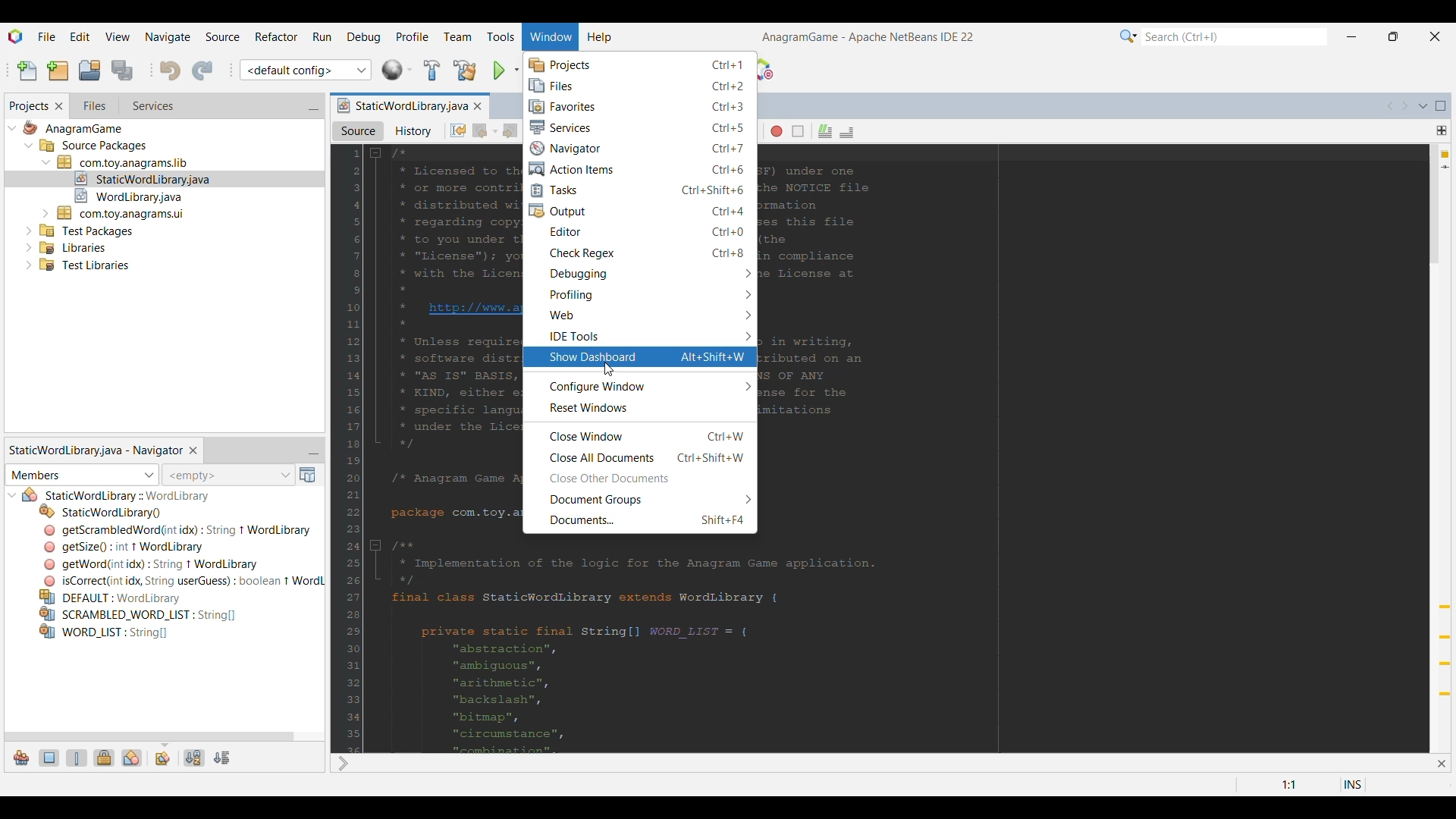 Image resolution: width=1456 pixels, height=819 pixels. I want to click on Inspect members history, so click(227, 475).